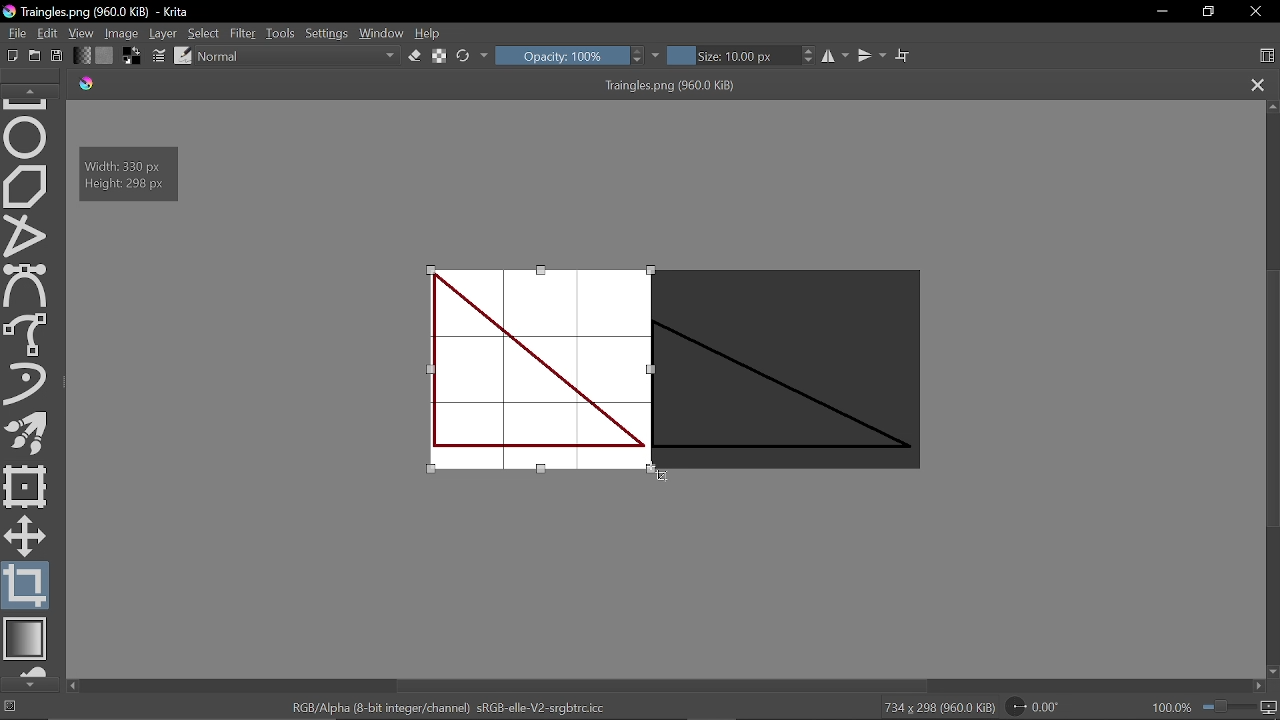  What do you see at coordinates (299, 57) in the screenshot?
I see `Normal` at bounding box center [299, 57].